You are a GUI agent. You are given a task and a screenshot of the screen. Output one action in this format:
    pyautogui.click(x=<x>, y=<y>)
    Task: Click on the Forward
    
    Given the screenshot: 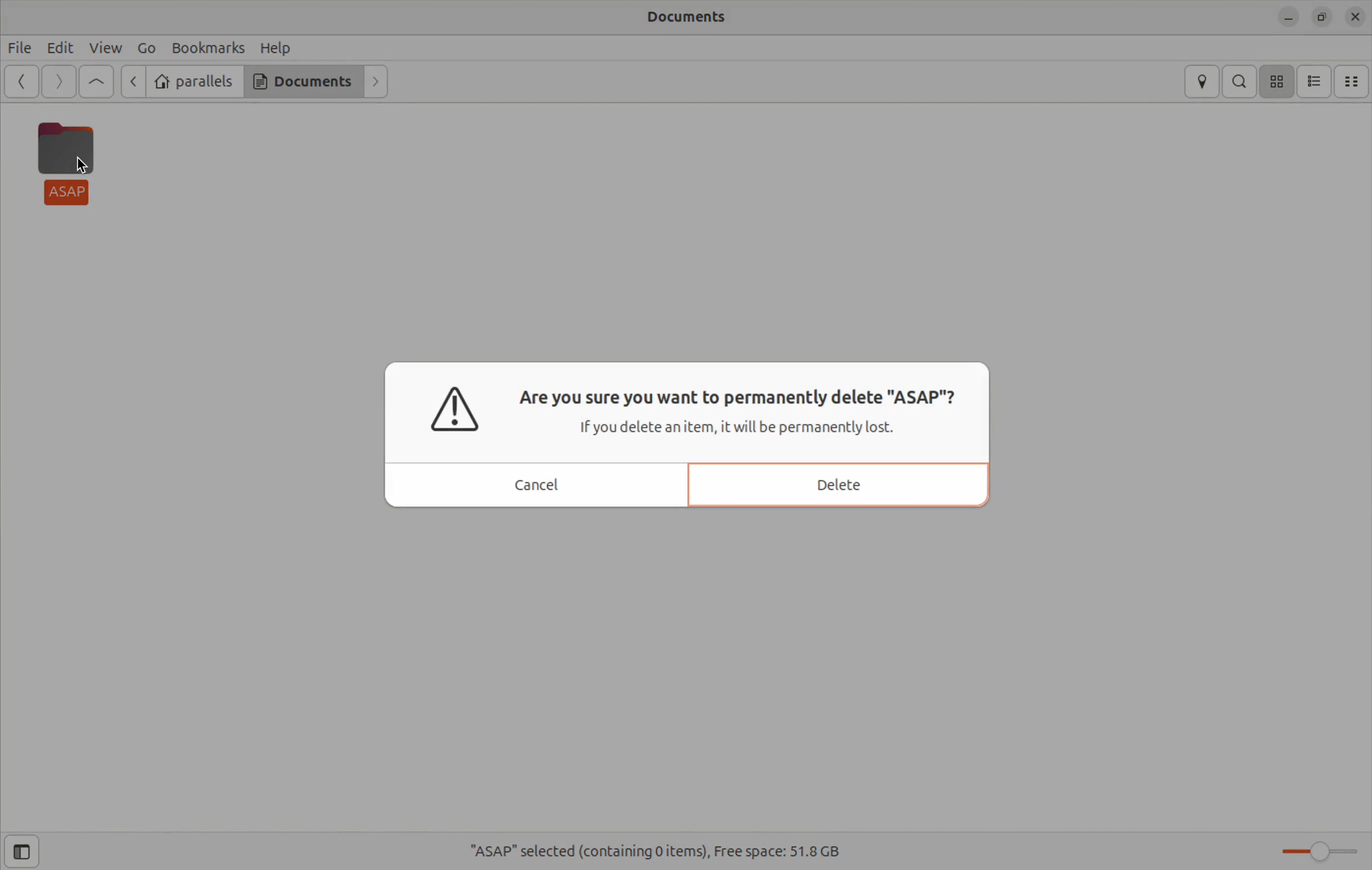 What is the action you would take?
    pyautogui.click(x=59, y=82)
    